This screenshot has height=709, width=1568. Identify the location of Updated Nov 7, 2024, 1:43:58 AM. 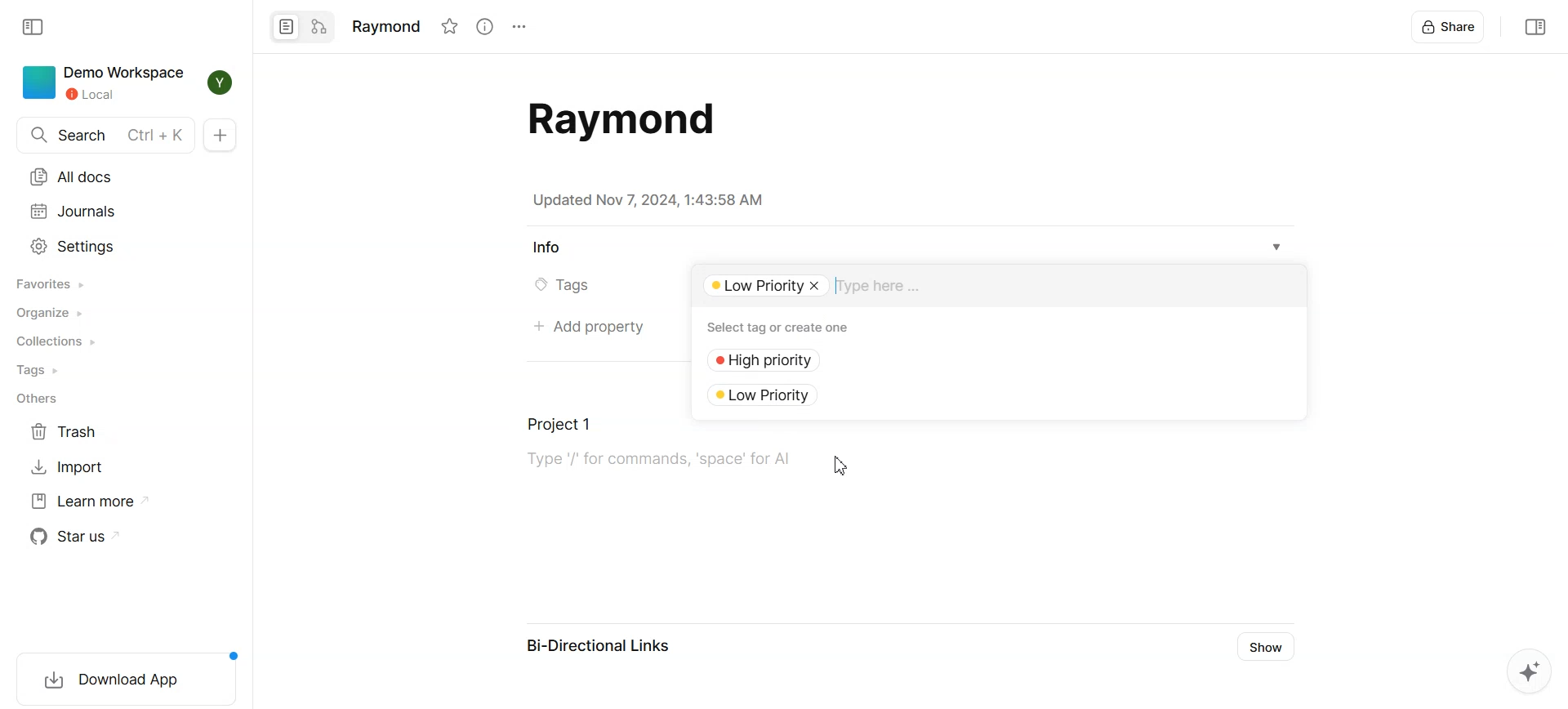
(648, 200).